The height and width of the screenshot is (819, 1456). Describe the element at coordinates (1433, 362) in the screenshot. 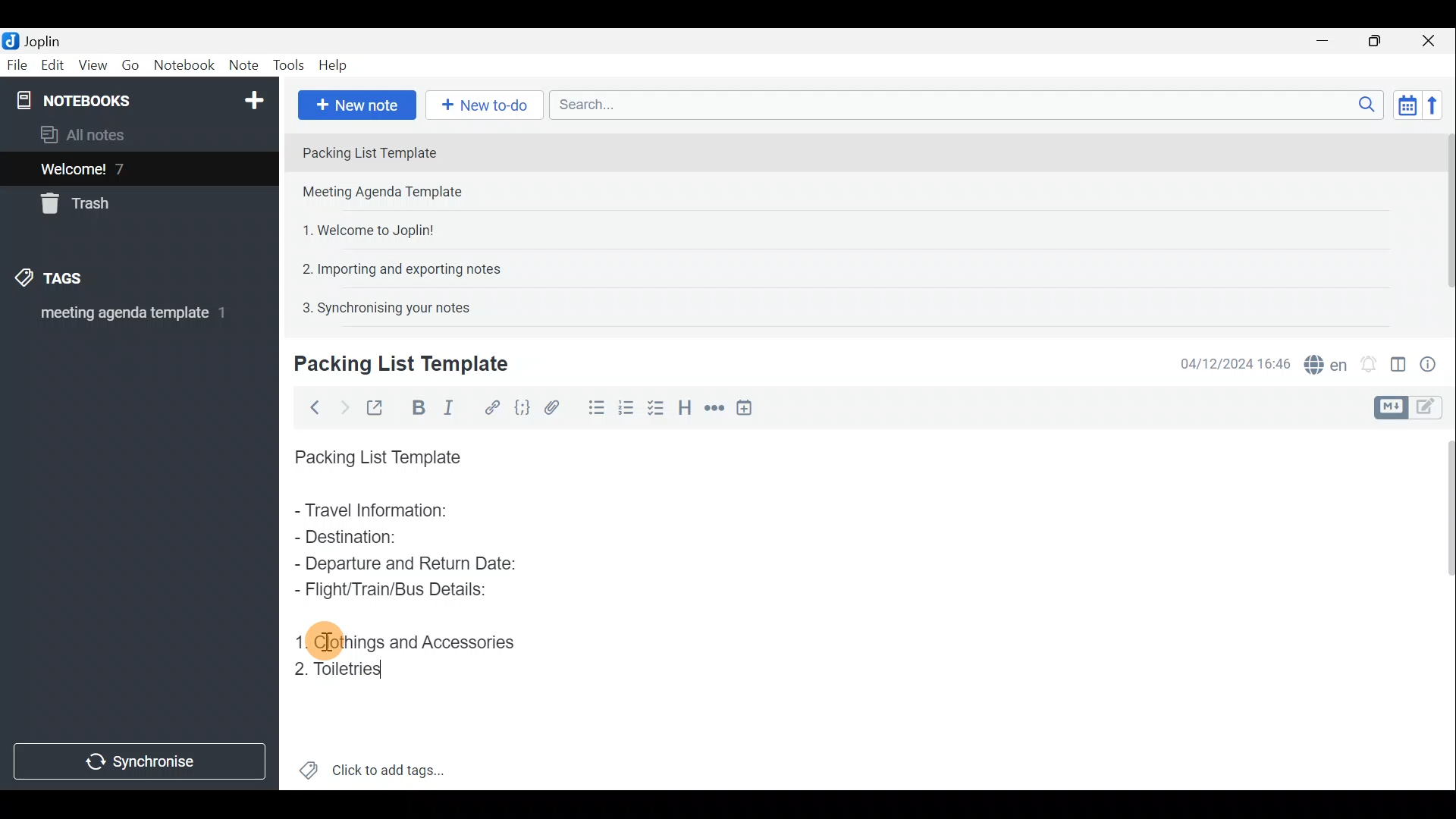

I see `Note properties` at that location.